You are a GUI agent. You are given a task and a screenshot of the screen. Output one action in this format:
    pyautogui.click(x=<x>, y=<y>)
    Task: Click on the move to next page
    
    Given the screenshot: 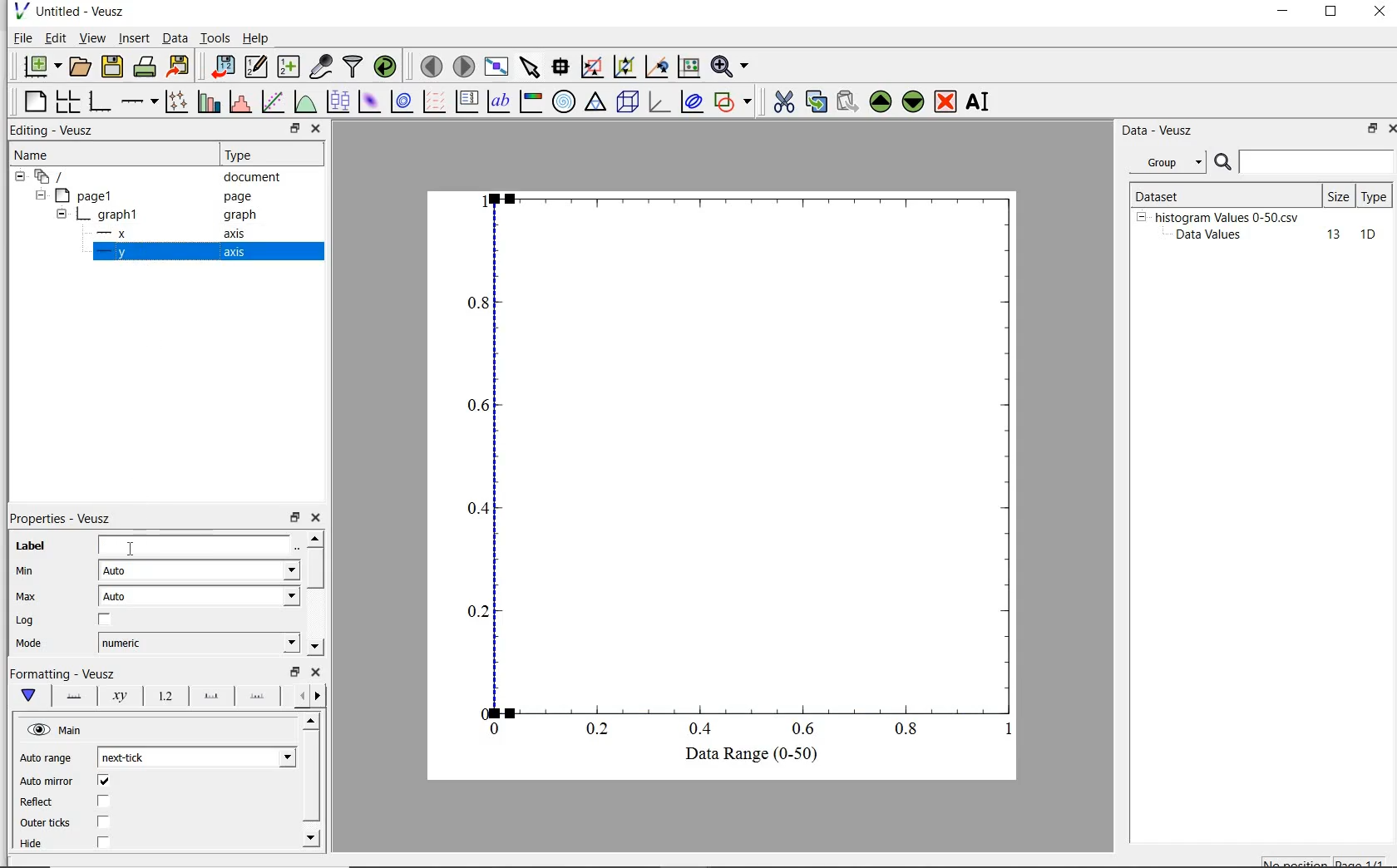 What is the action you would take?
    pyautogui.click(x=465, y=66)
    